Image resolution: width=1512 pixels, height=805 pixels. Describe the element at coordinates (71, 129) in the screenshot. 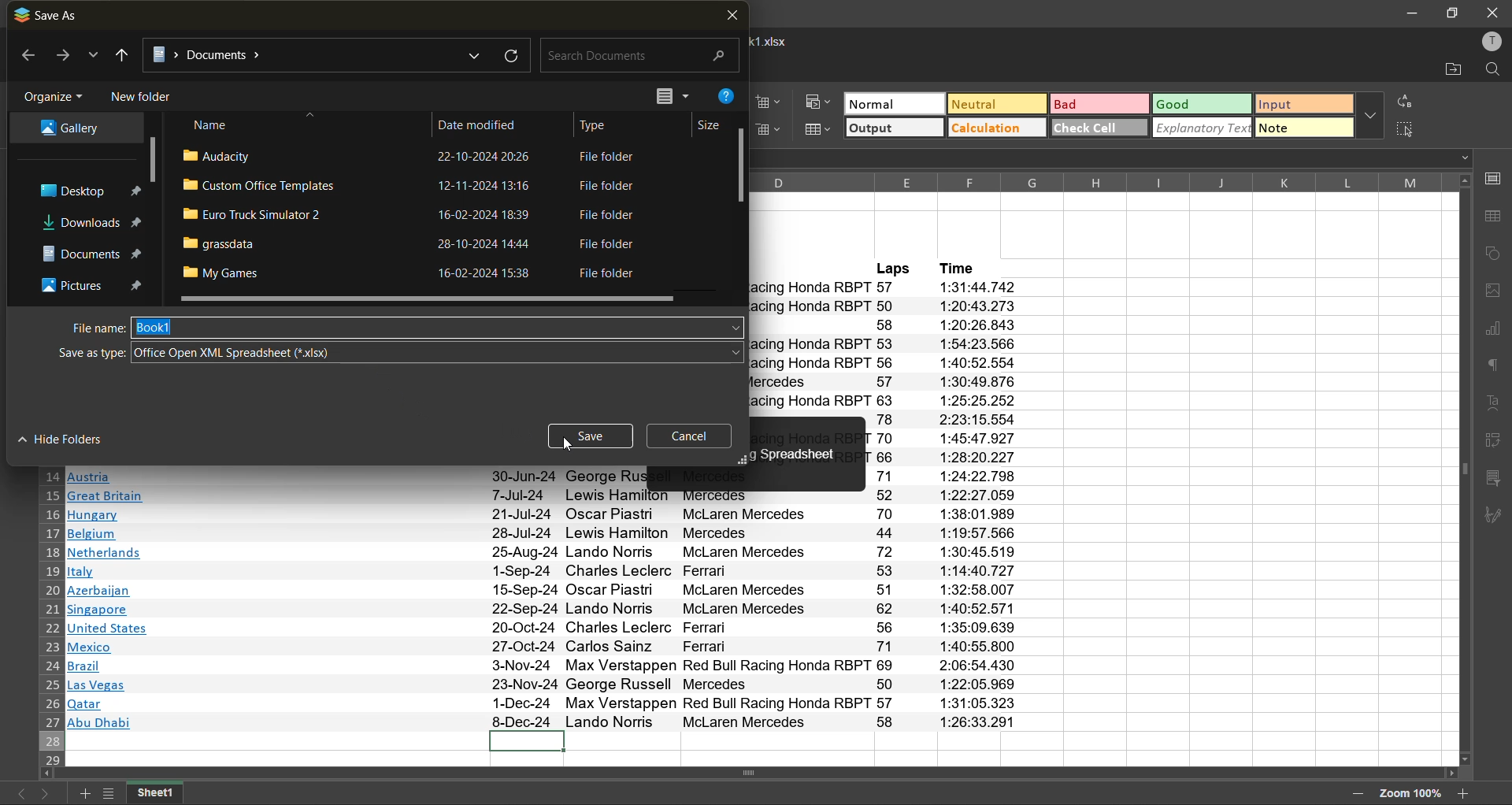

I see `Gallery` at that location.